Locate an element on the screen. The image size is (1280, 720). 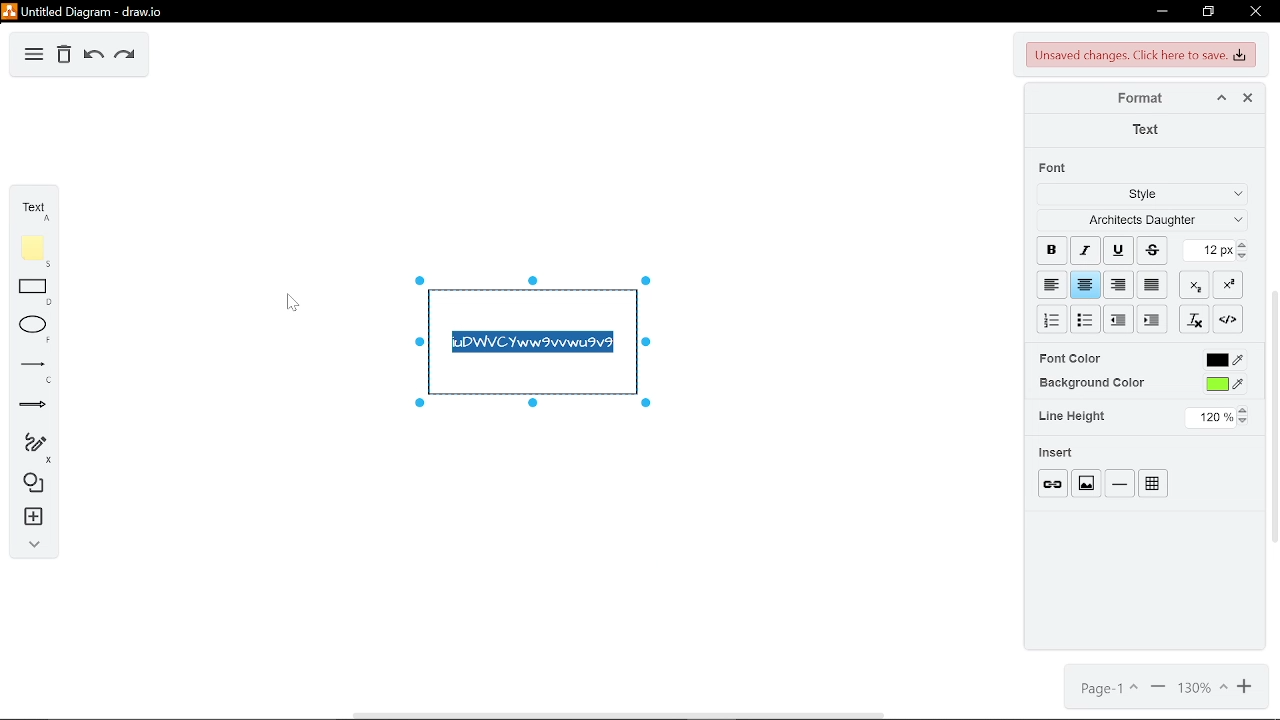
insert is located at coordinates (1057, 453).